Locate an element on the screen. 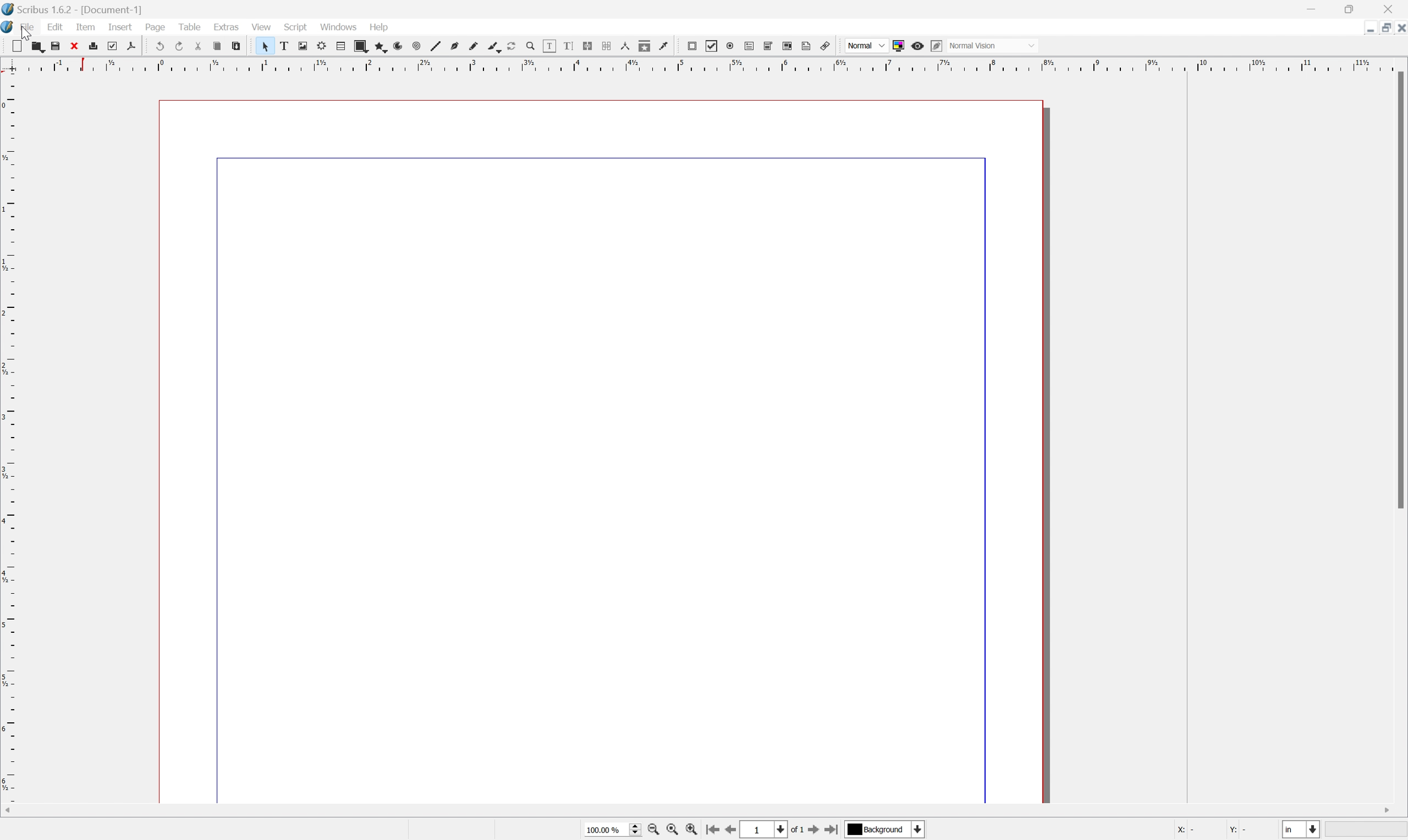 Image resolution: width=1408 pixels, height=840 pixels. Unlink text frames is located at coordinates (609, 47).